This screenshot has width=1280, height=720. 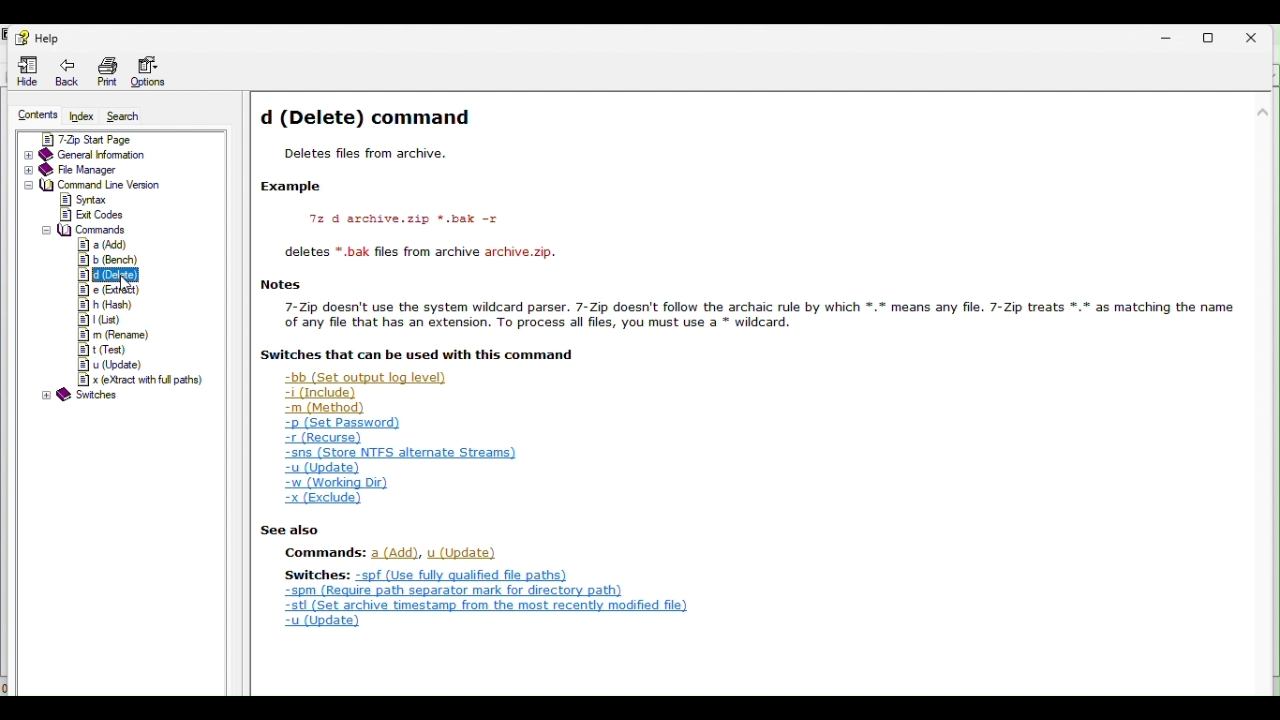 What do you see at coordinates (314, 621) in the screenshot?
I see `u (Update)` at bounding box center [314, 621].